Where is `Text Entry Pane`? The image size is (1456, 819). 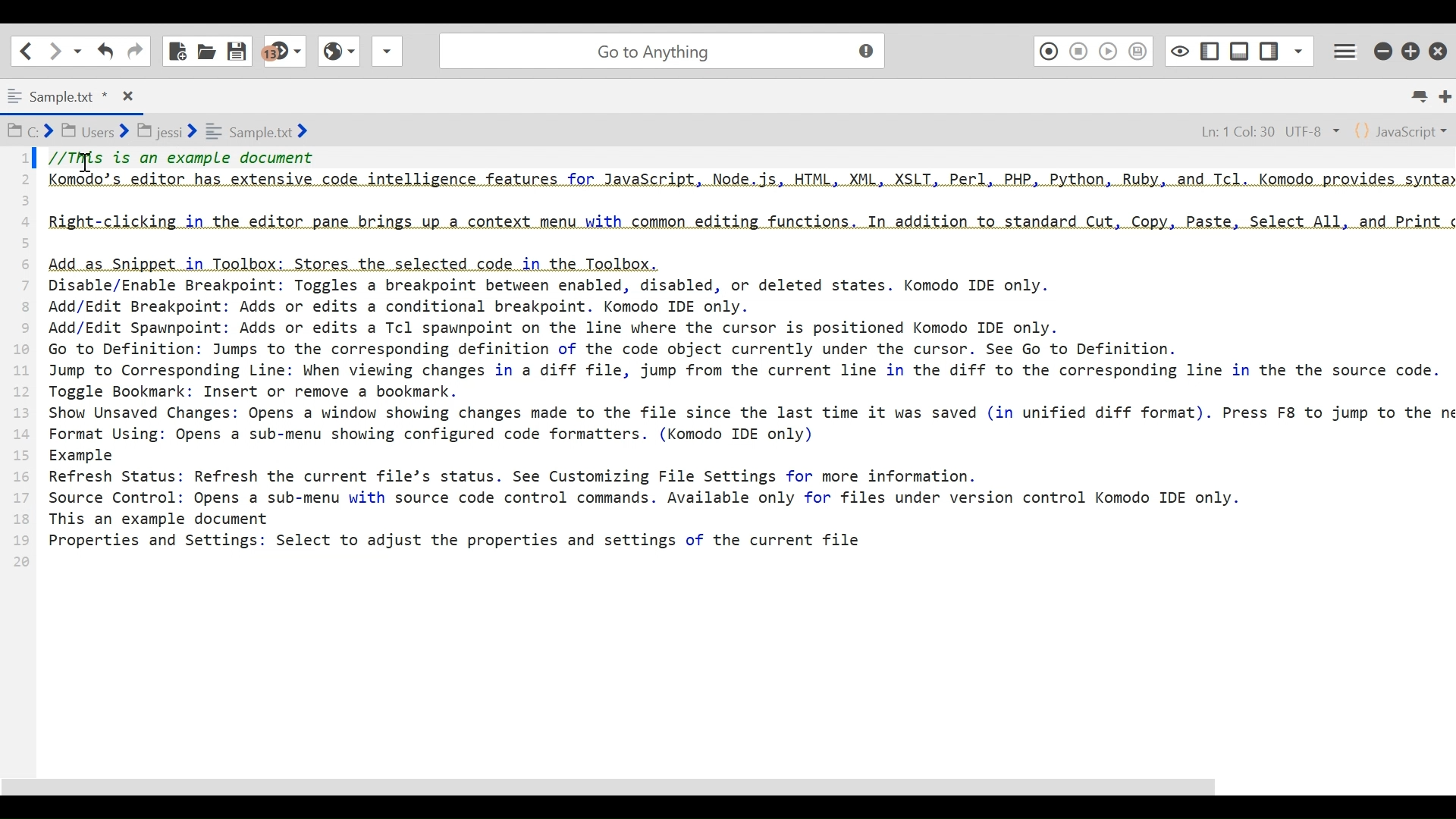 Text Entry Pane is located at coordinates (726, 461).